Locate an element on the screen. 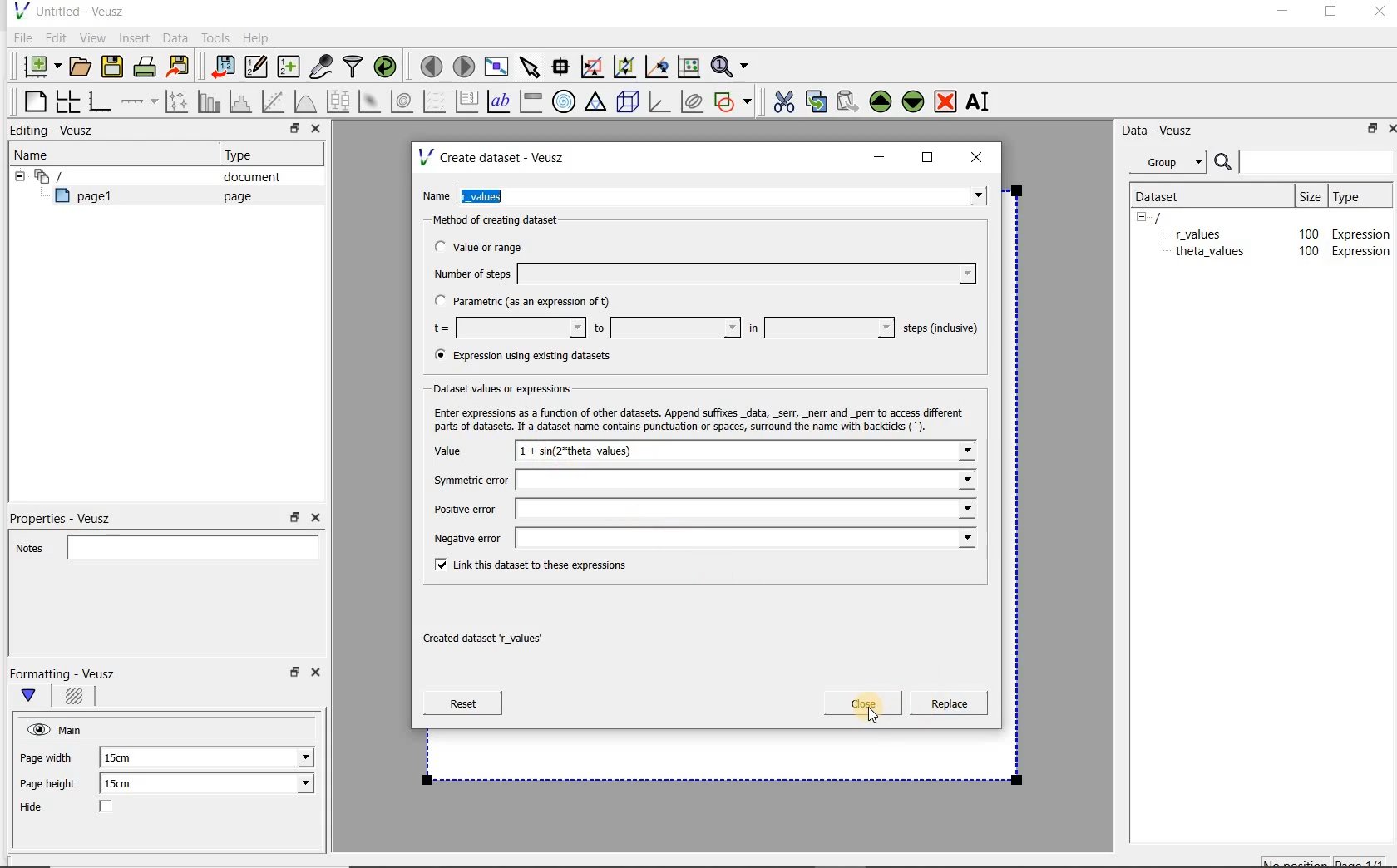 The height and width of the screenshot is (868, 1397). Negative error  is located at coordinates (697, 537).